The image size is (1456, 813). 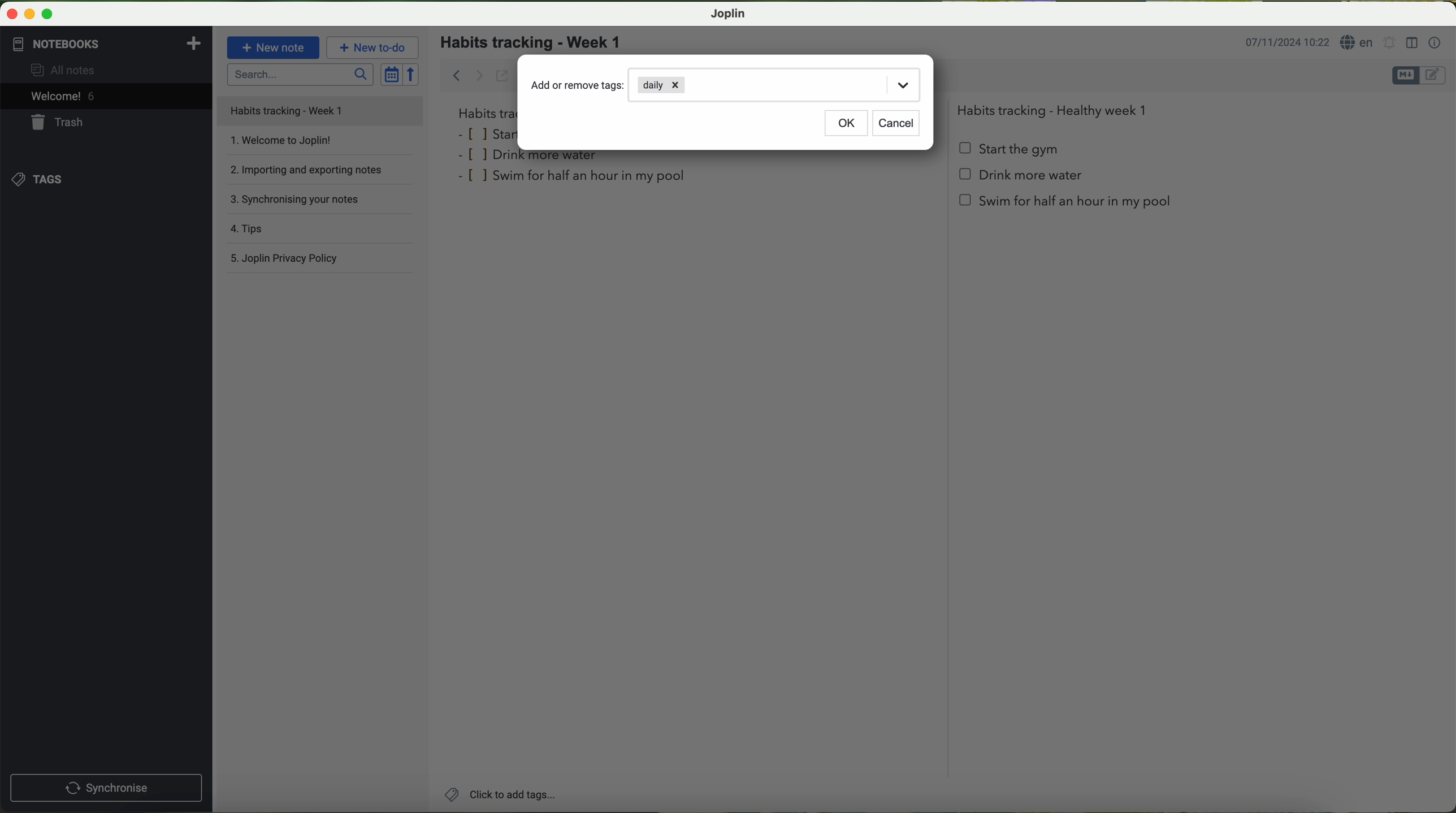 I want to click on notebooks tab, so click(x=108, y=44).